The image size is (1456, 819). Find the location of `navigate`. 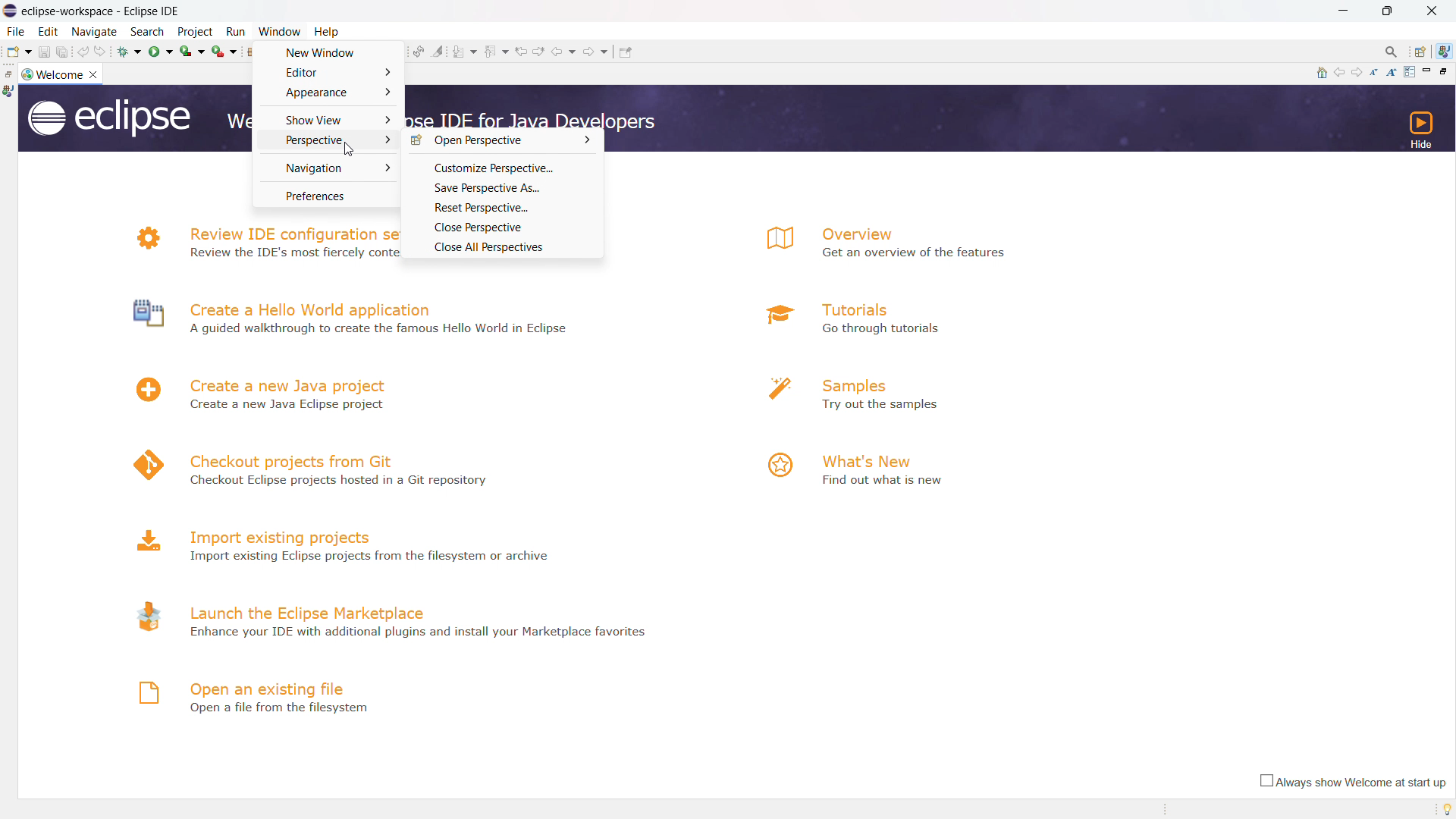

navigate is located at coordinates (95, 32).